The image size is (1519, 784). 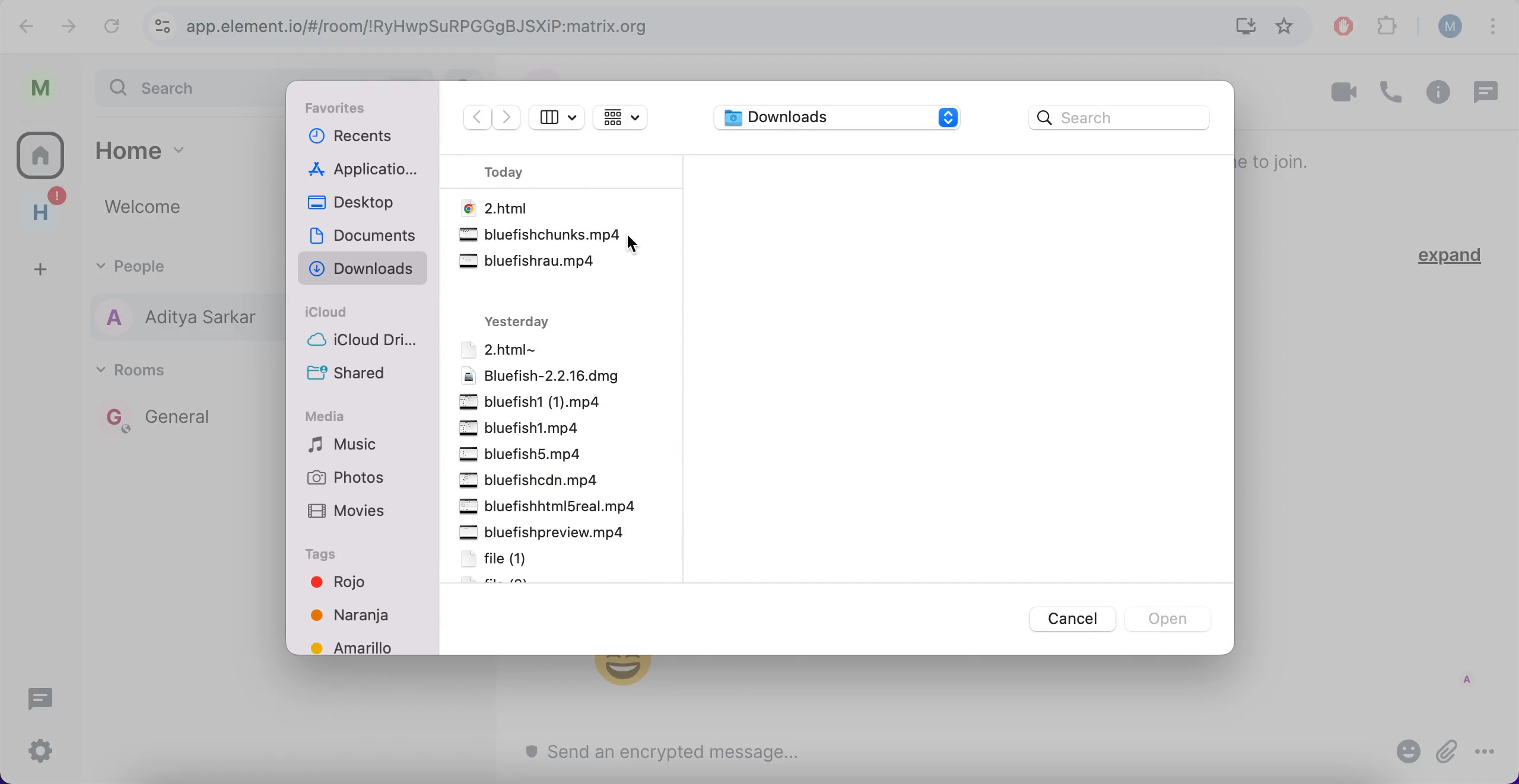 What do you see at coordinates (506, 352) in the screenshot?
I see `2.html~` at bounding box center [506, 352].